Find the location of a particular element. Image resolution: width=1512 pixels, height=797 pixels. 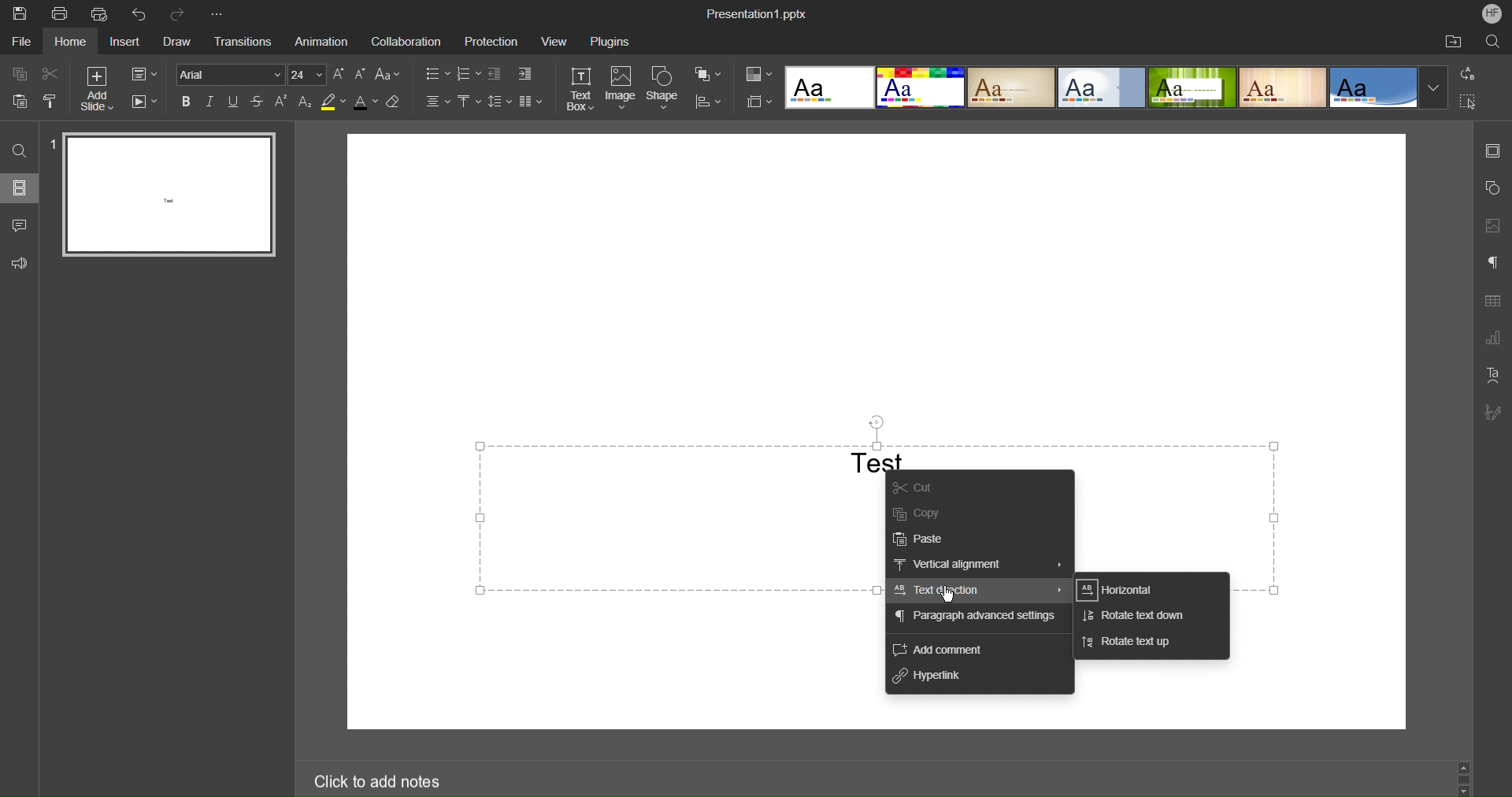

Redo is located at coordinates (181, 13).